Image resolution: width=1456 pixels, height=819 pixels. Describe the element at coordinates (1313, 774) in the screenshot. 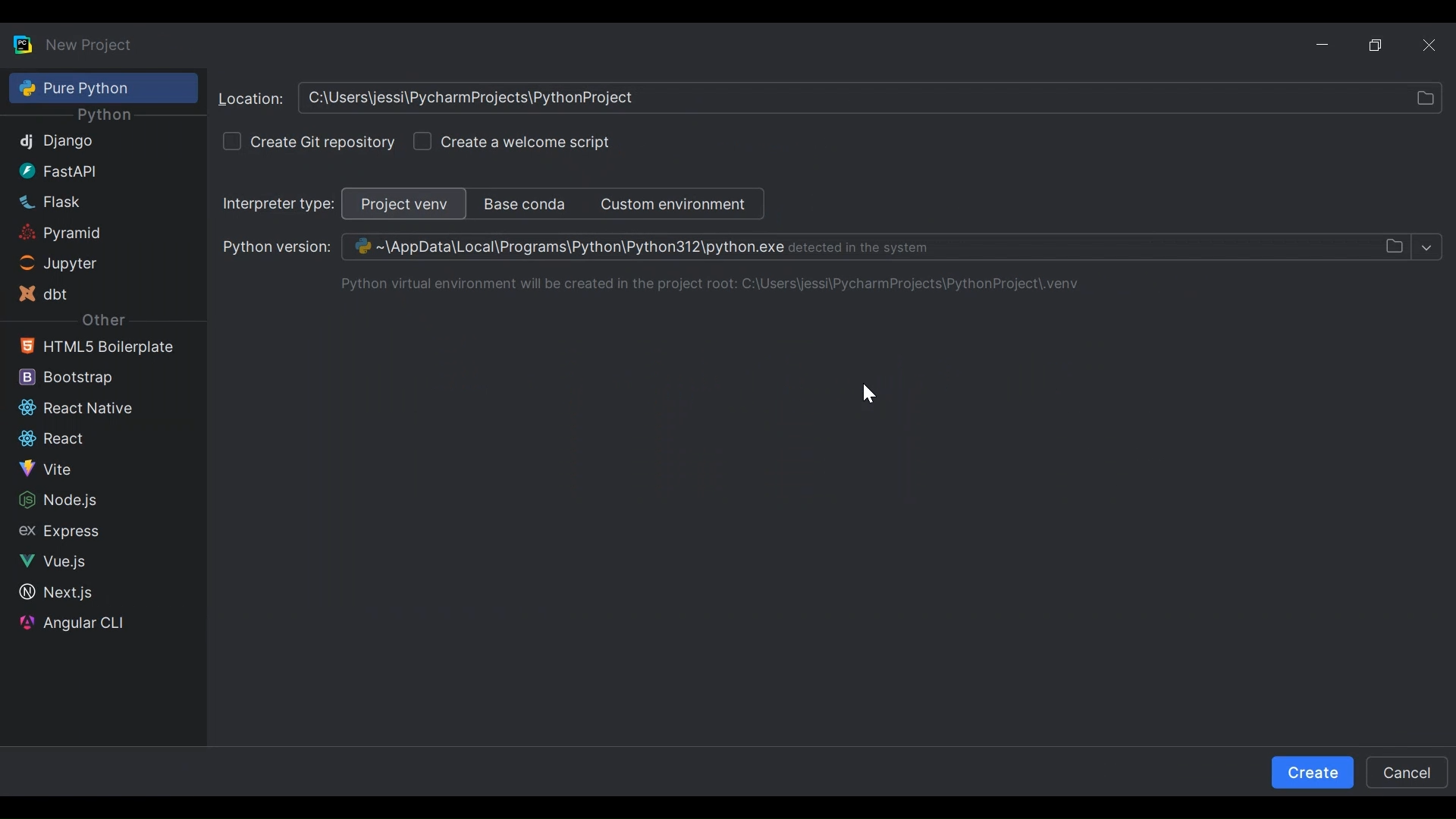

I see `Create ` at that location.